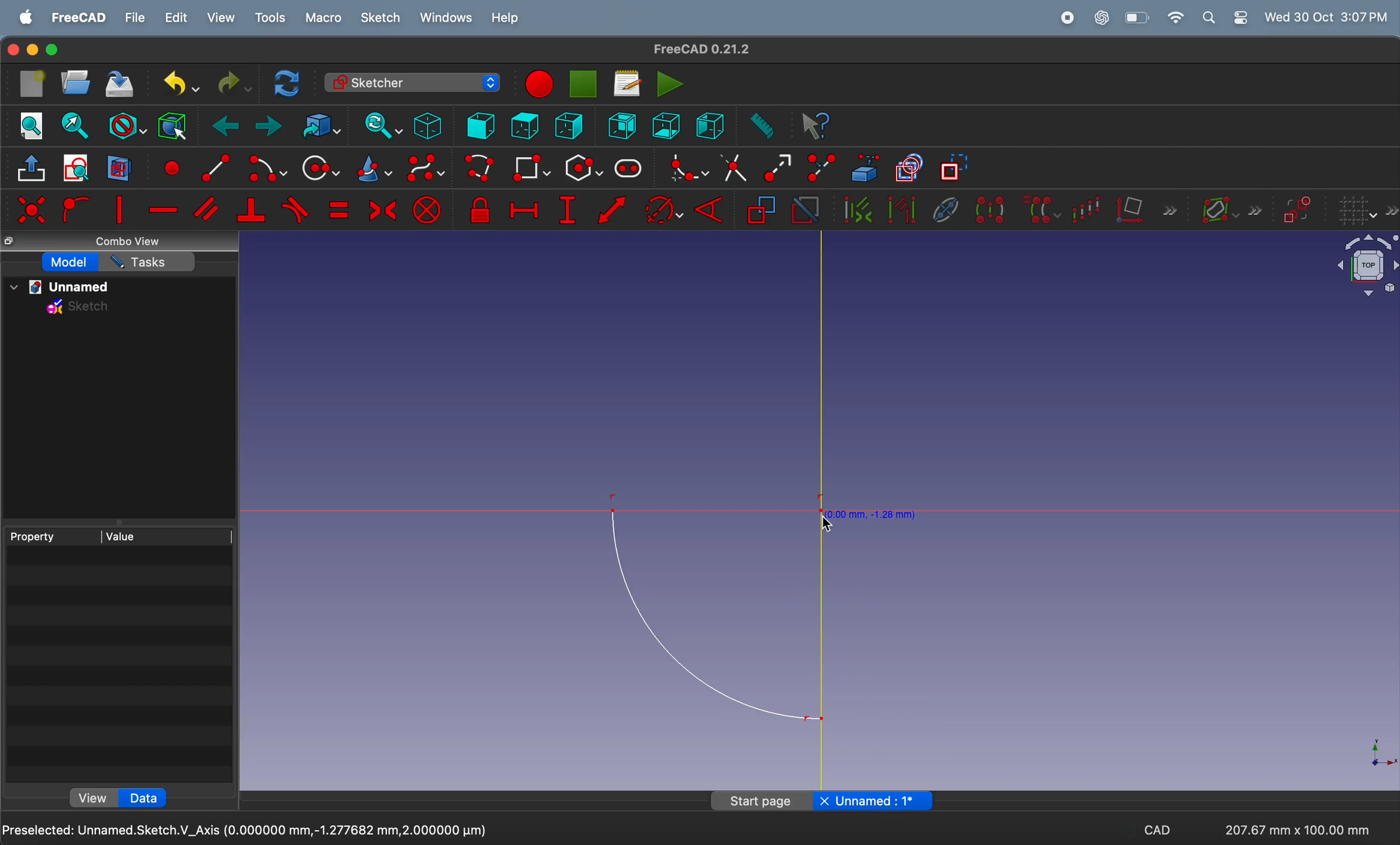 This screenshot has width=1400, height=845. What do you see at coordinates (1376, 752) in the screenshot?
I see `axis` at bounding box center [1376, 752].